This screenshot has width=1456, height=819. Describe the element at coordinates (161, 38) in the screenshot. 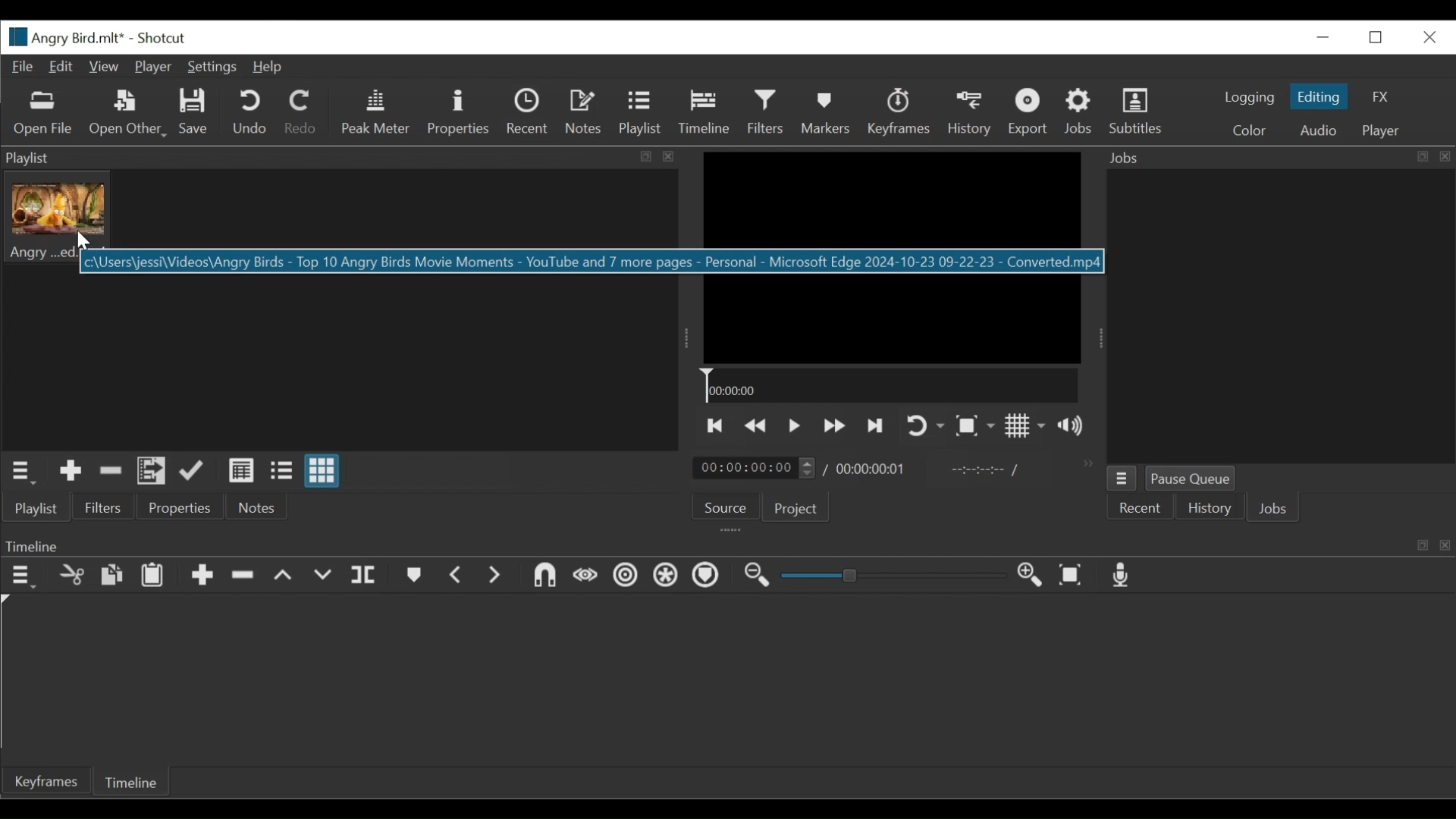

I see `Shotcut` at that location.